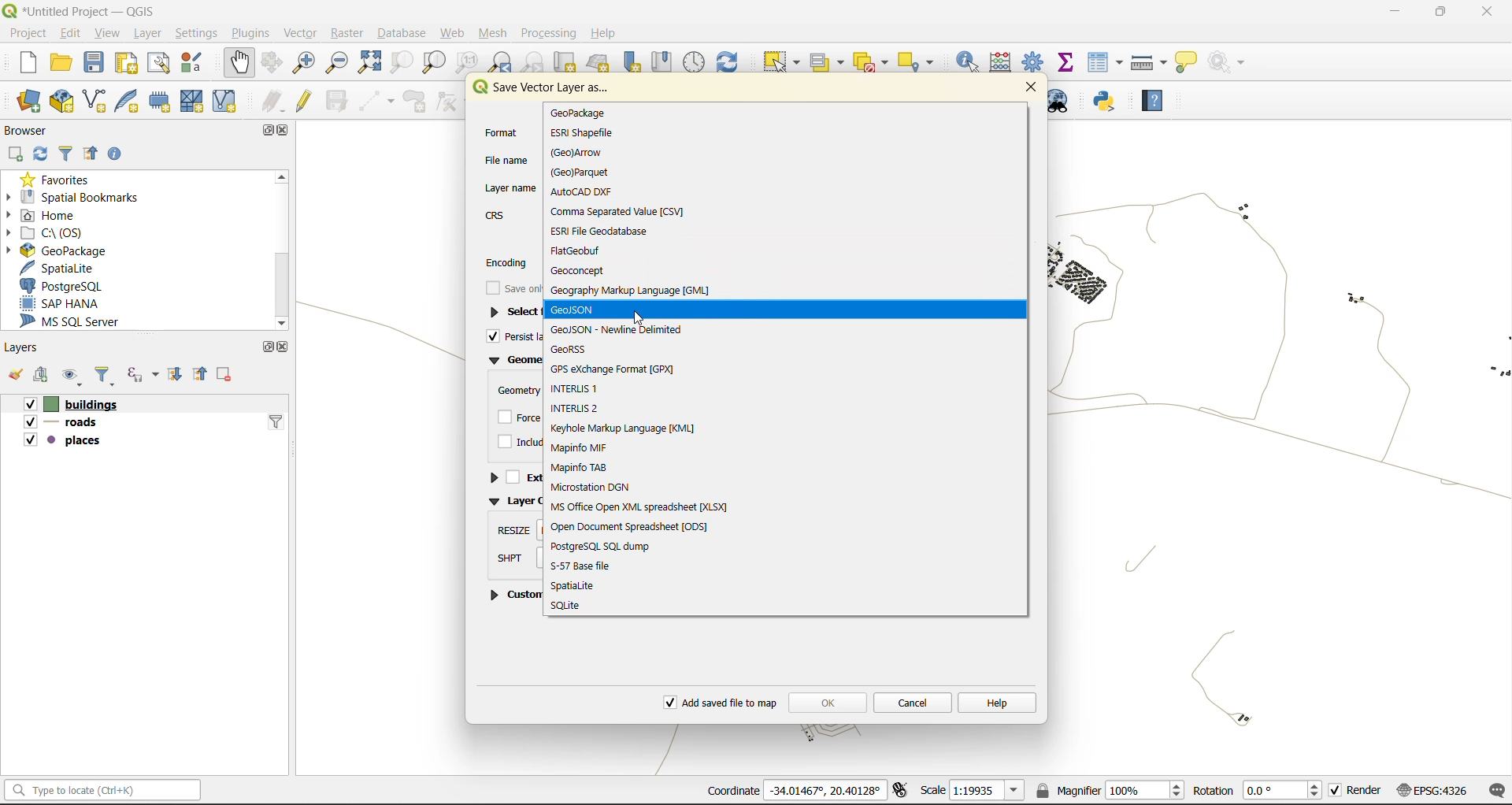 Image resolution: width=1512 pixels, height=805 pixels. Describe the element at coordinates (195, 101) in the screenshot. I see `new mesh` at that location.